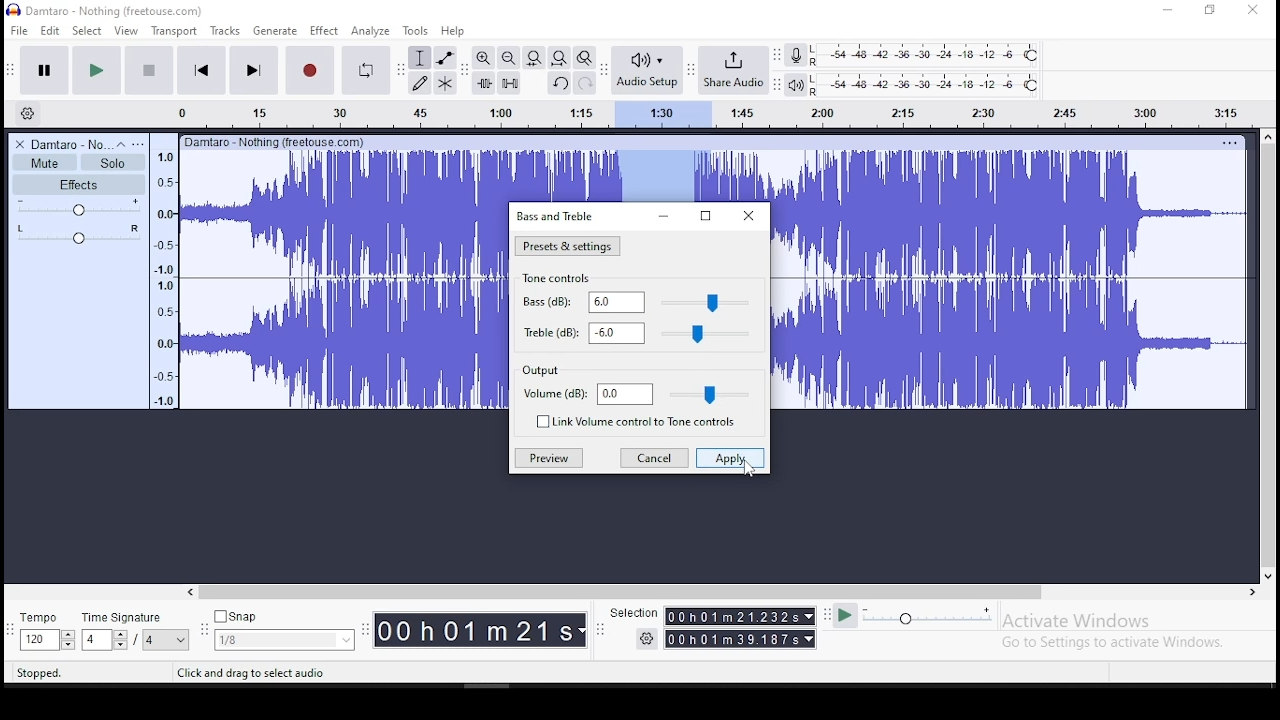 This screenshot has height=720, width=1280. Describe the element at coordinates (544, 301) in the screenshot. I see `bass(dB)` at that location.